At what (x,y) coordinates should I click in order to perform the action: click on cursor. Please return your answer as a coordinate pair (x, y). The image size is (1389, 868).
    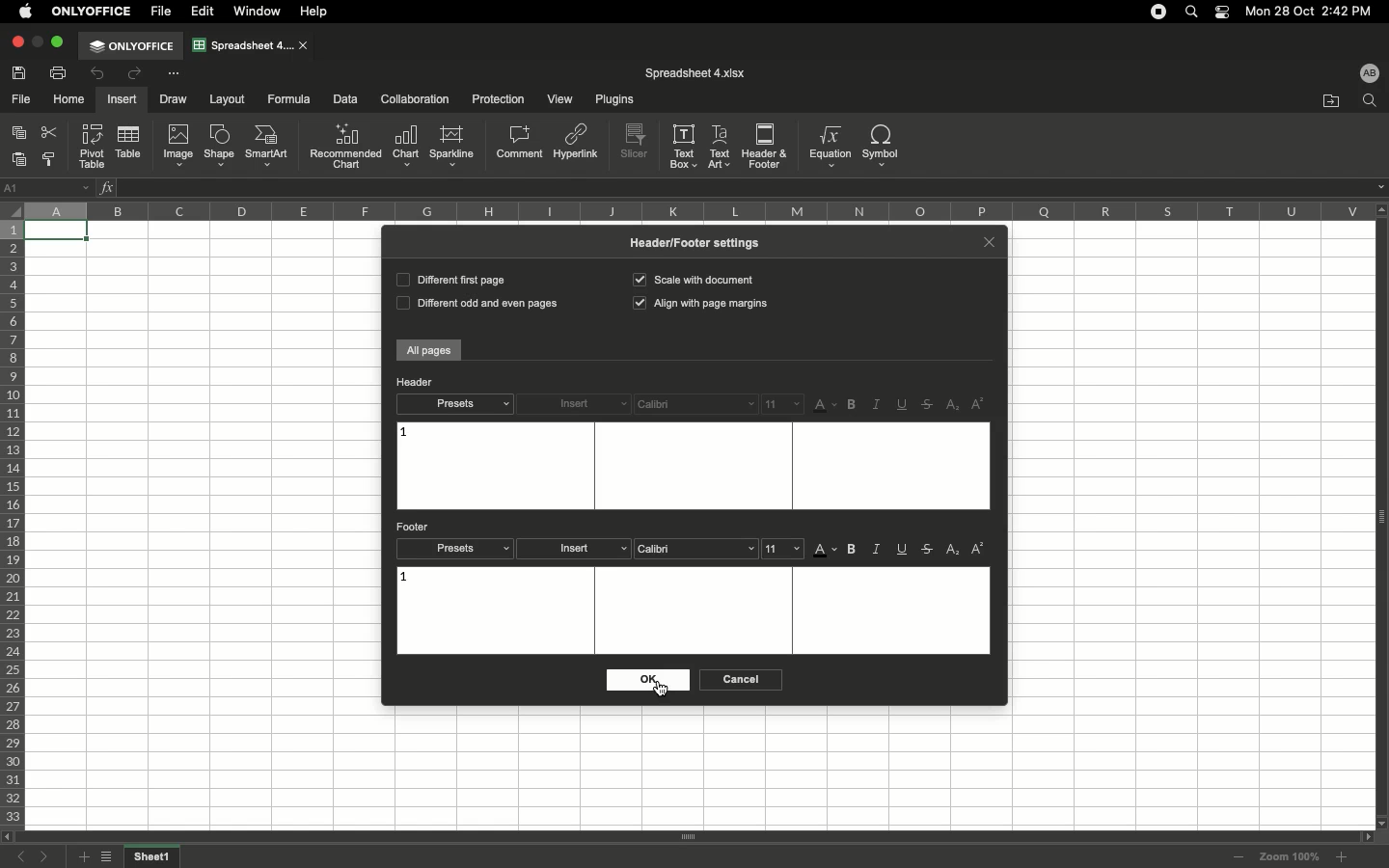
    Looking at the image, I should click on (660, 689).